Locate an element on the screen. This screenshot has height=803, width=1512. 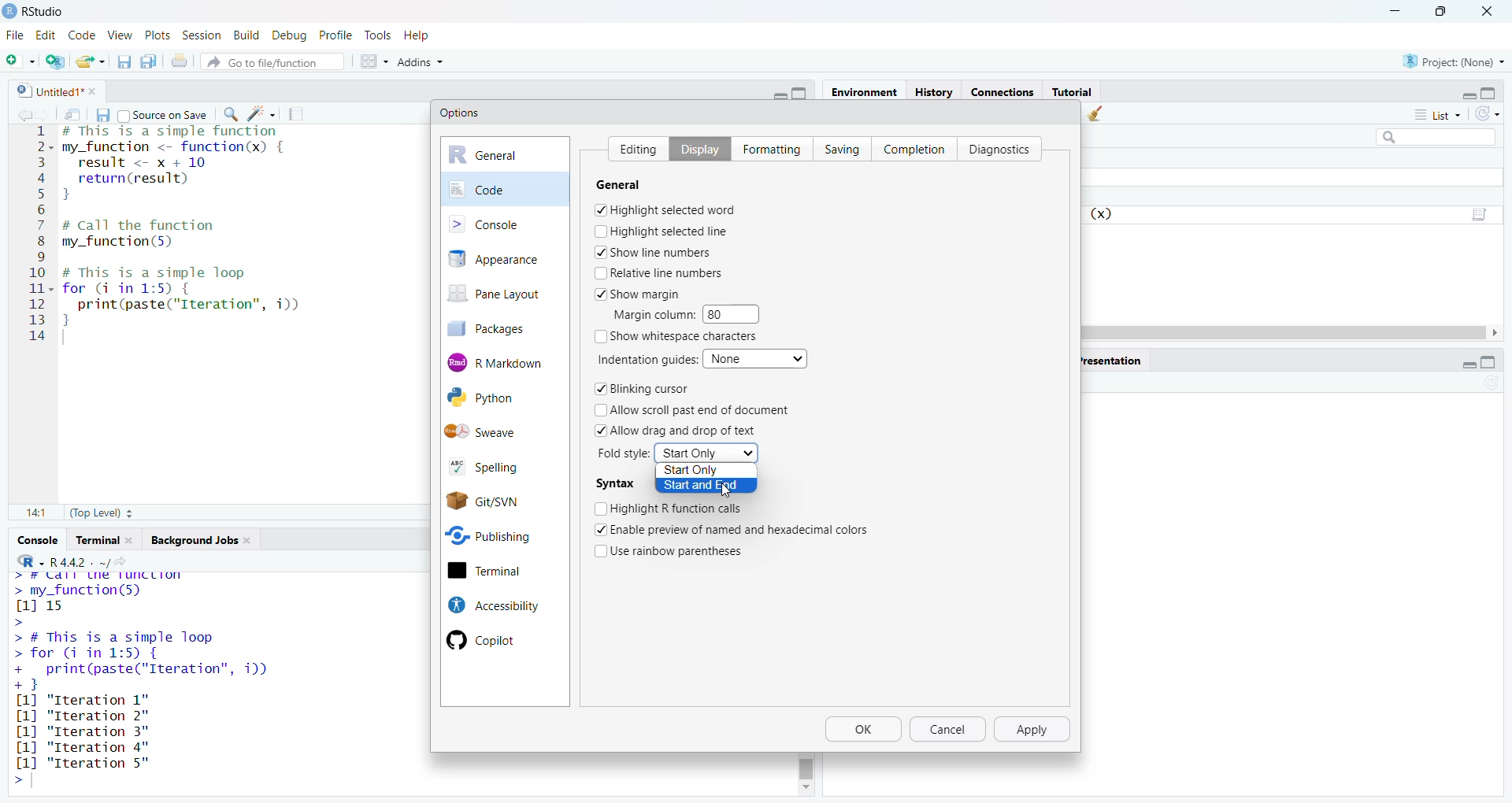
close is located at coordinates (98, 91).